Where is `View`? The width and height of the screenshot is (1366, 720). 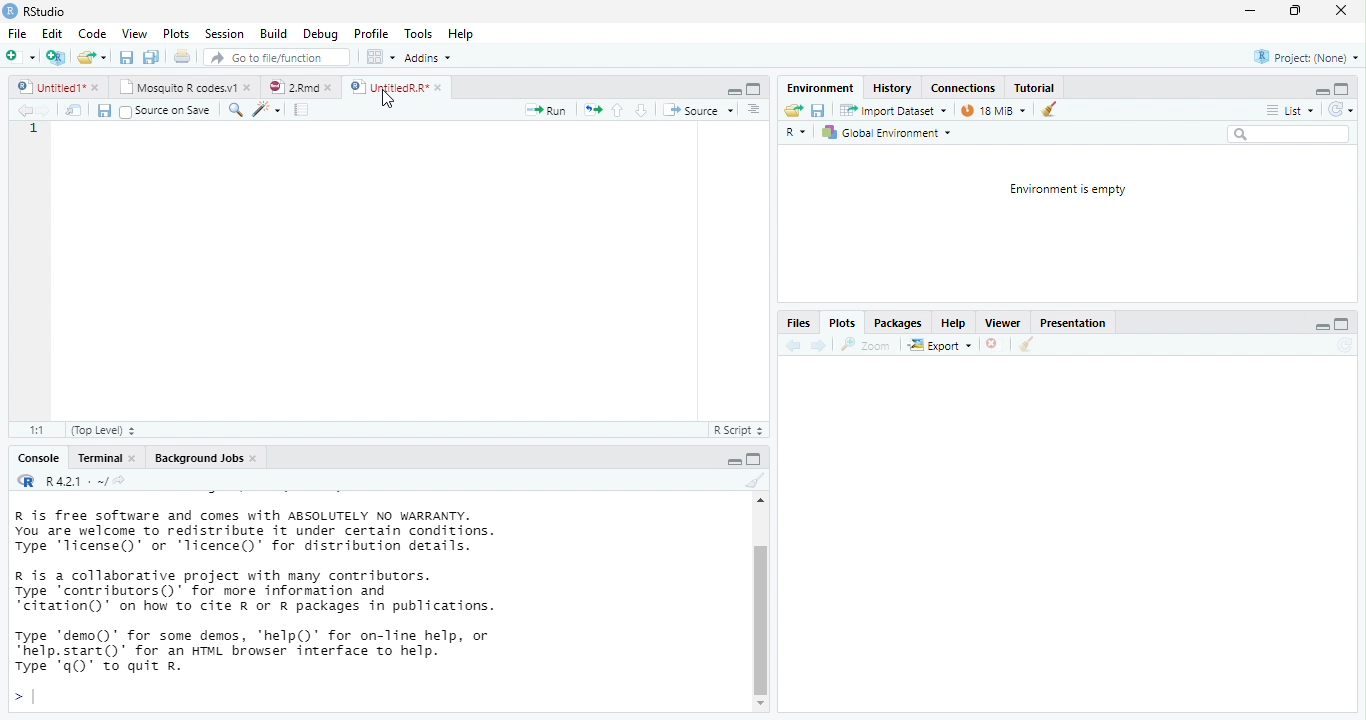
View is located at coordinates (133, 33).